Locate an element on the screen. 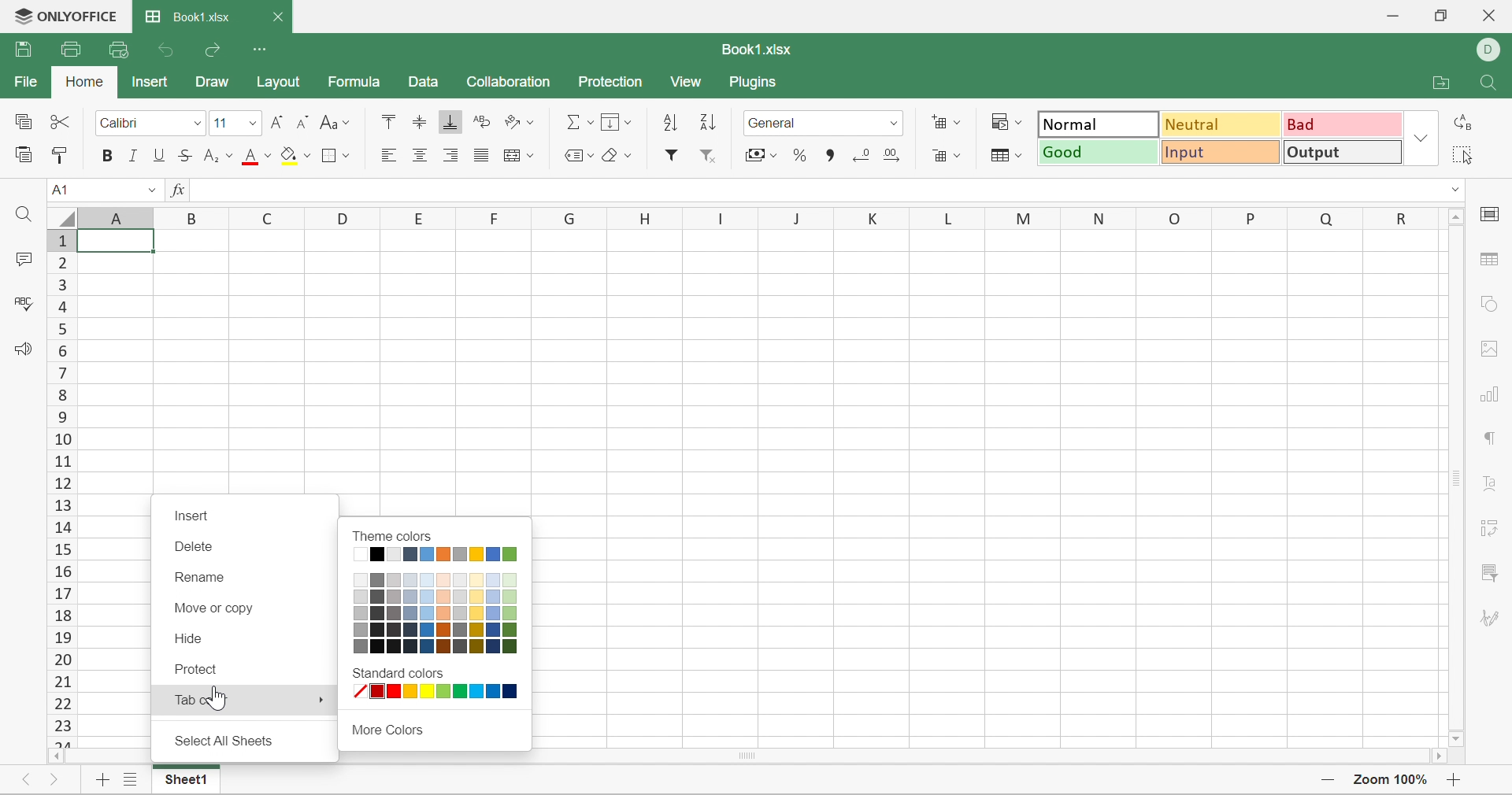 Image resolution: width=1512 pixels, height=795 pixels. Plugins is located at coordinates (755, 83).